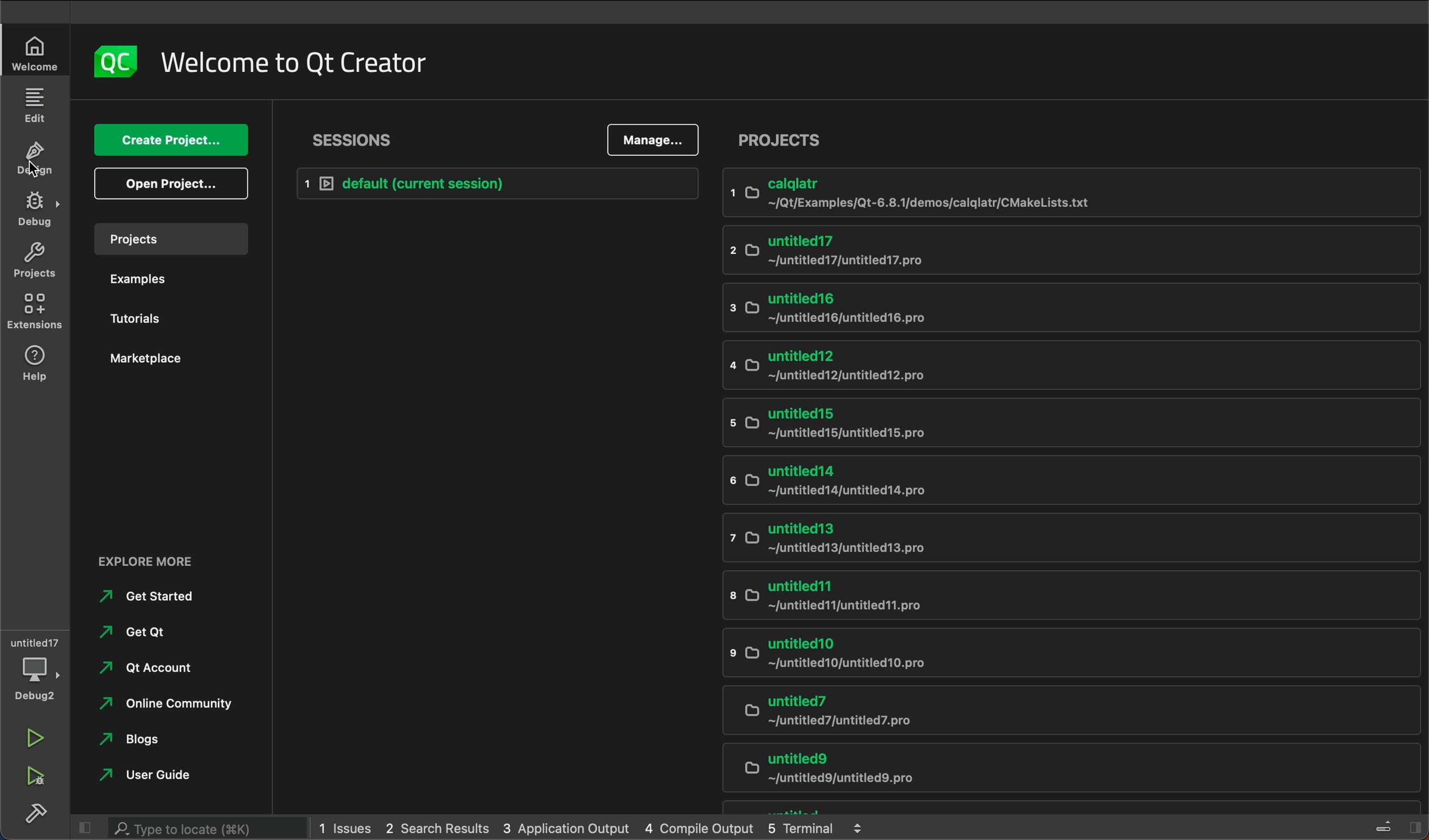 The height and width of the screenshot is (840, 1429). I want to click on design, so click(34, 160).